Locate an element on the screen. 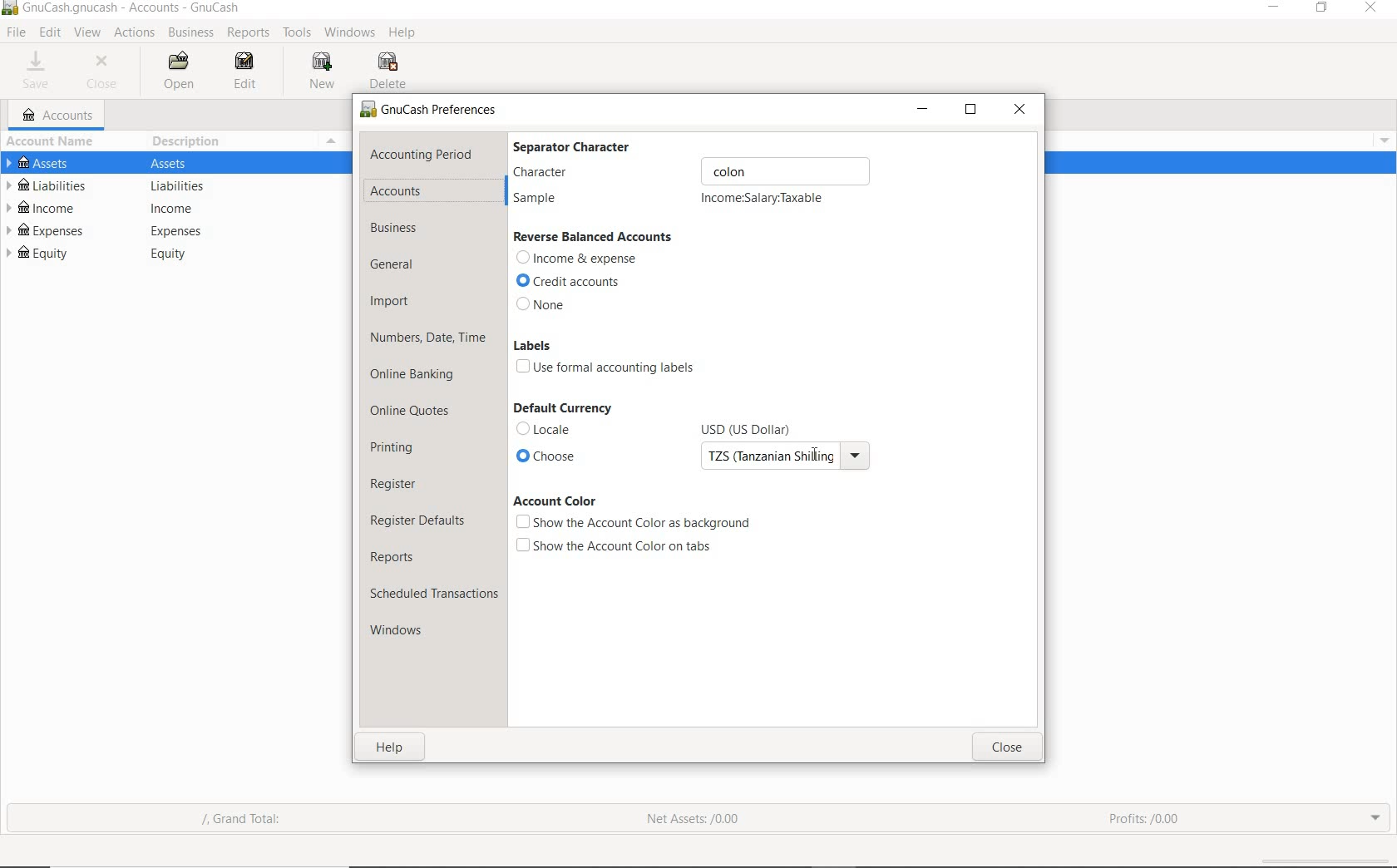 Image resolution: width=1397 pixels, height=868 pixels. ASSETS is located at coordinates (42, 163).